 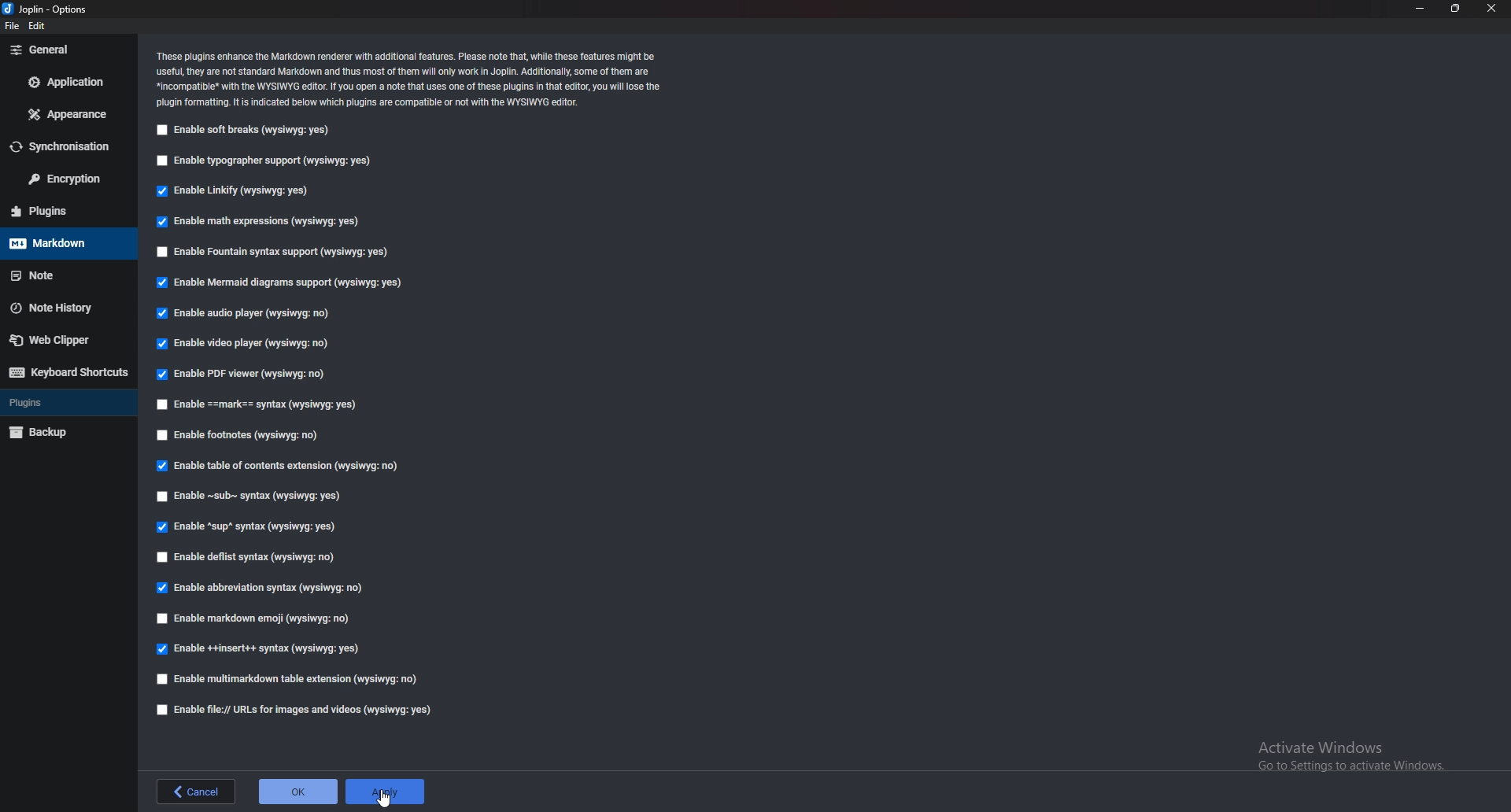 I want to click on Web clipper, so click(x=62, y=340).